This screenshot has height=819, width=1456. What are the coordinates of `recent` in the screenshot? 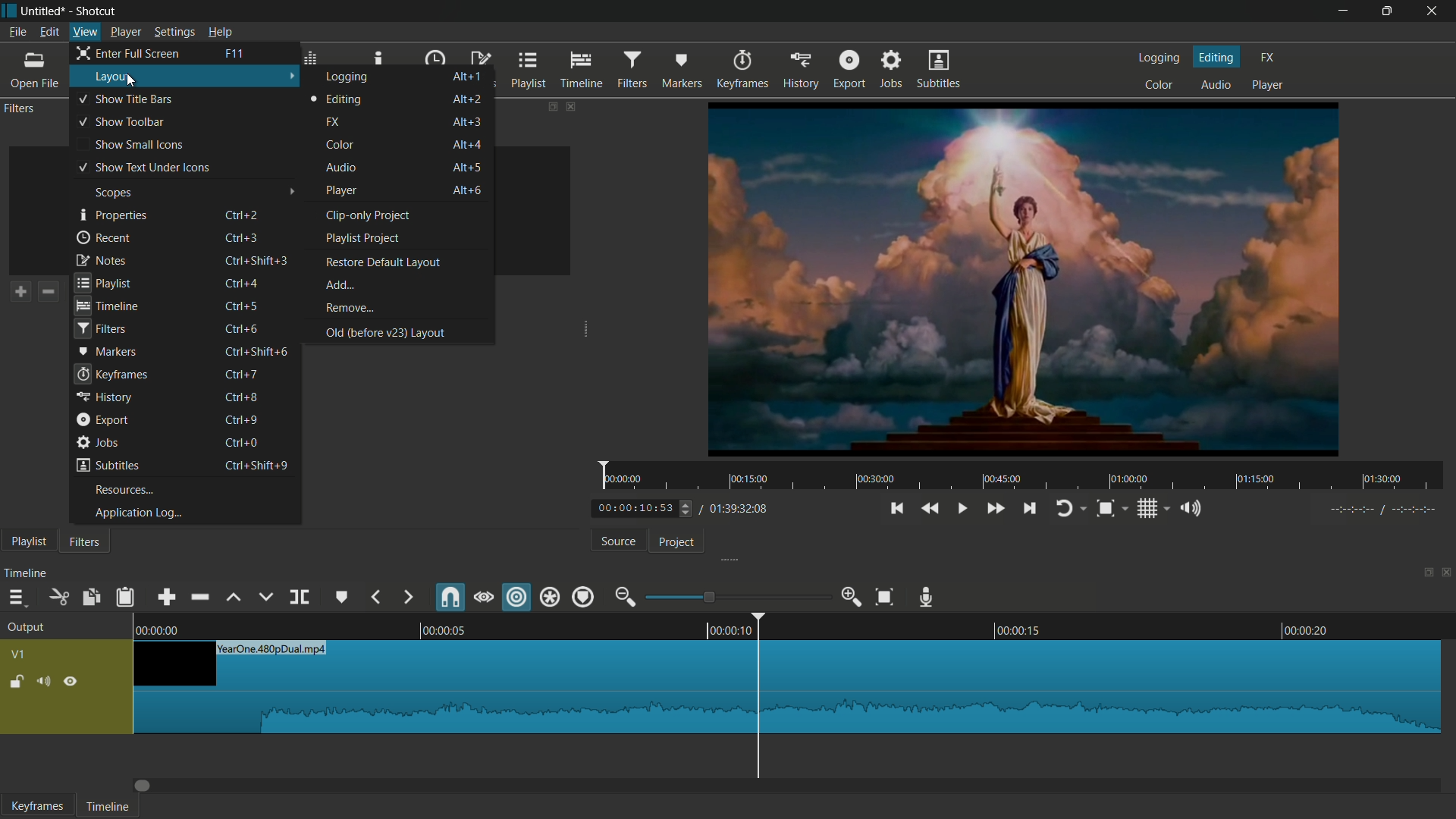 It's located at (105, 238).